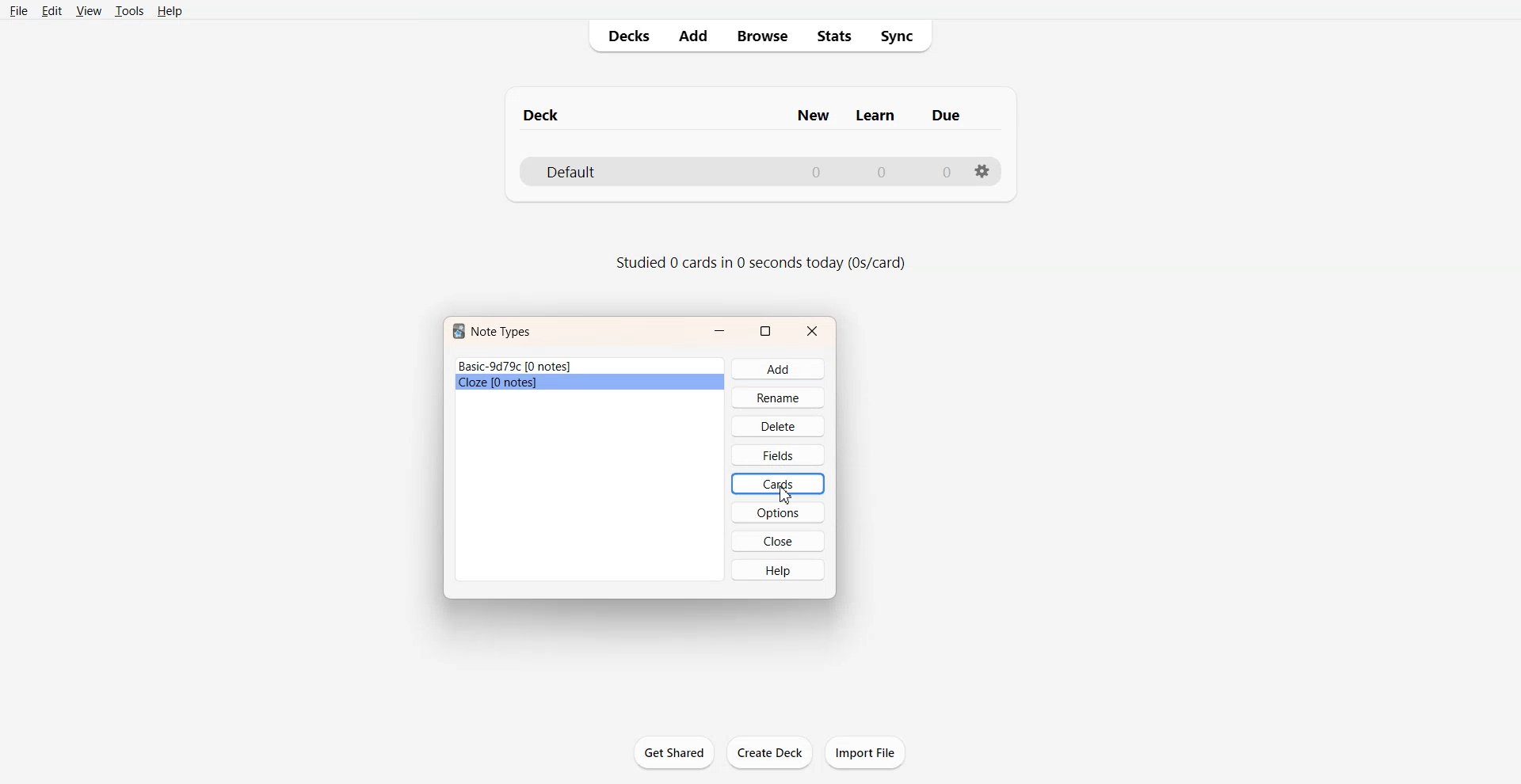 The image size is (1521, 784). Describe the element at coordinates (590, 383) in the screenshot. I see `File` at that location.